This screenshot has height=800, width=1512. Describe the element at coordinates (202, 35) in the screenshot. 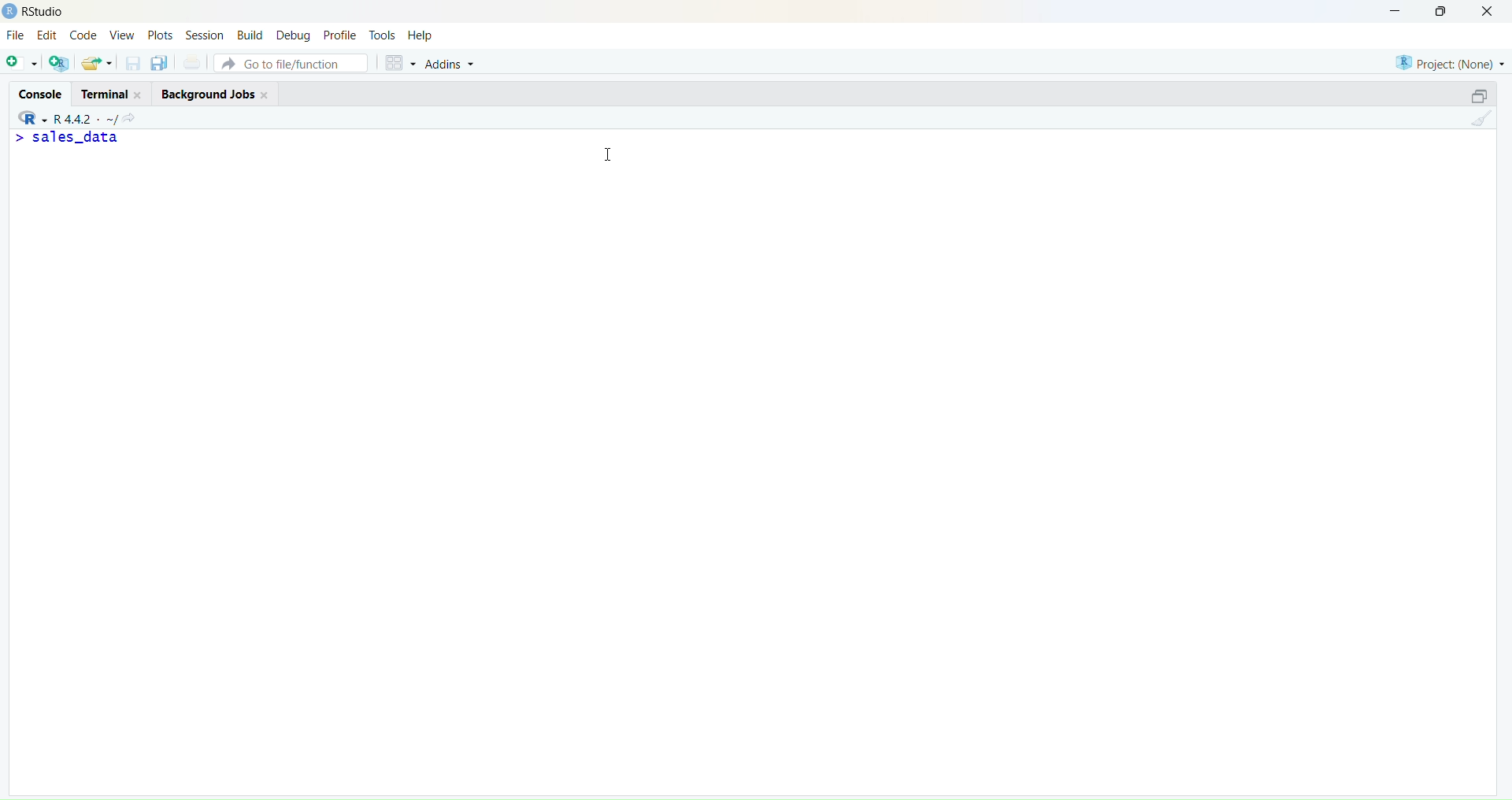

I see `Session` at that location.